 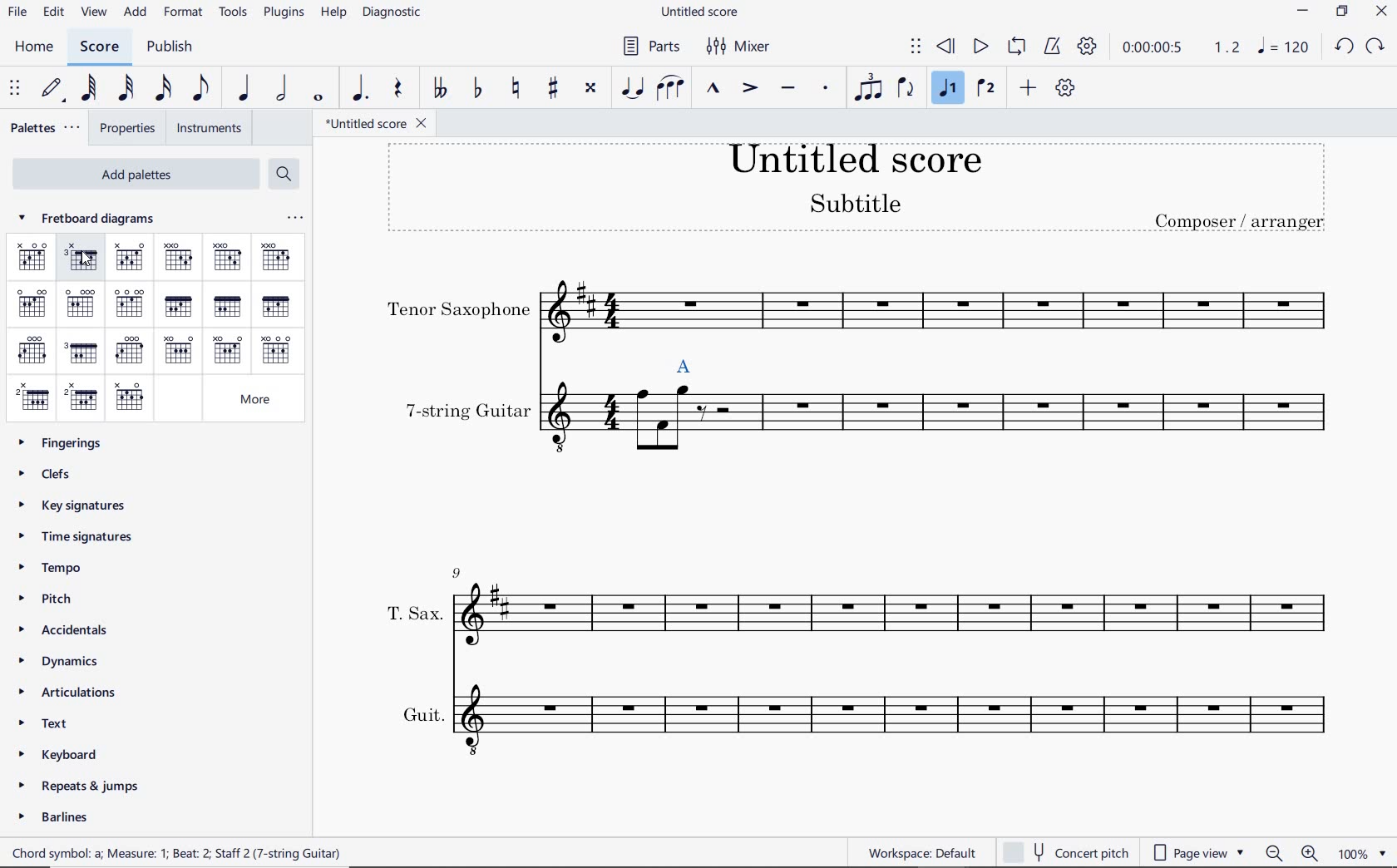 What do you see at coordinates (866, 311) in the screenshot?
I see `INSTRUMENT: TENOR SAXOPHONE` at bounding box center [866, 311].